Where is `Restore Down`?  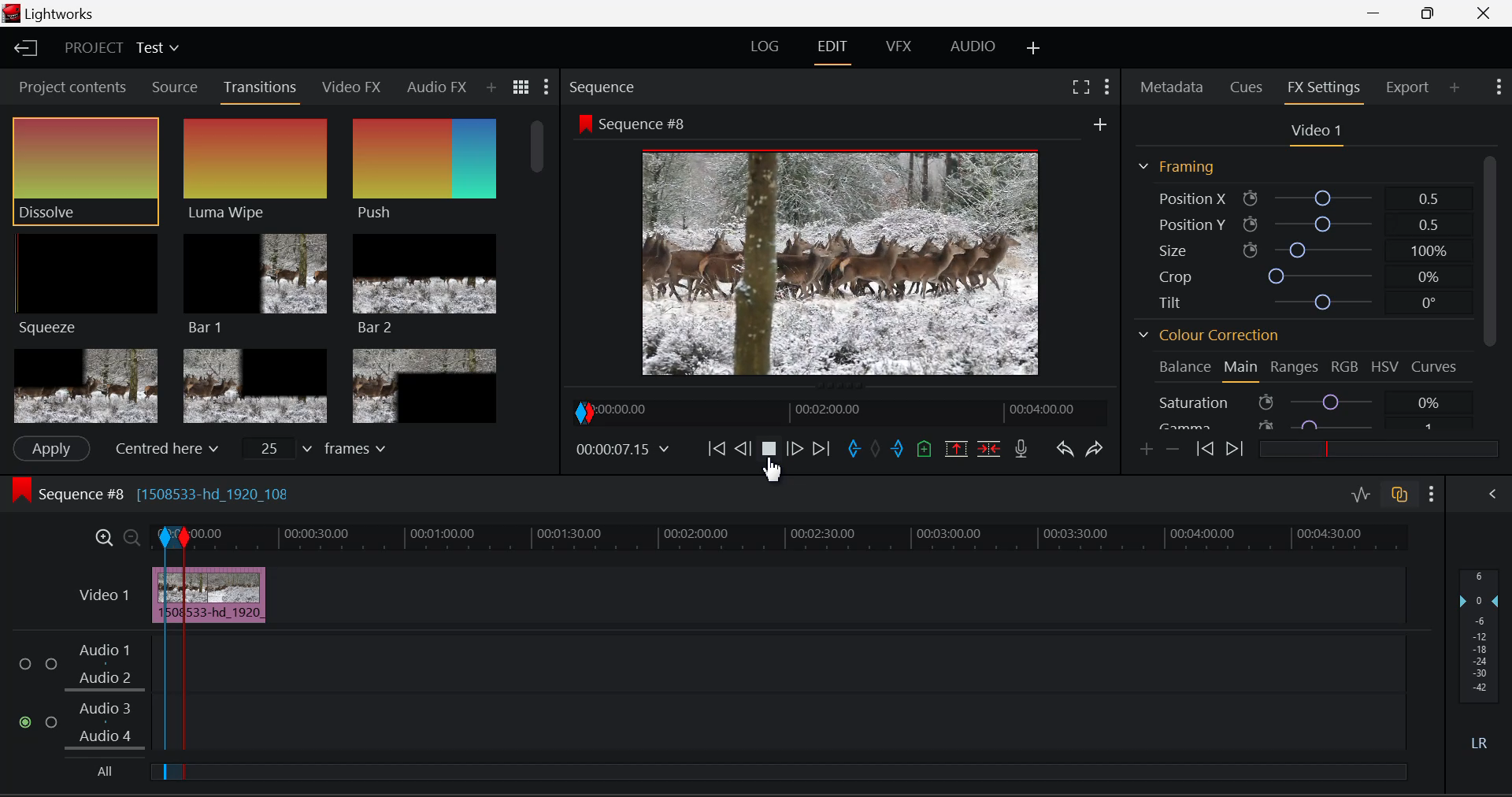 Restore Down is located at coordinates (1379, 13).